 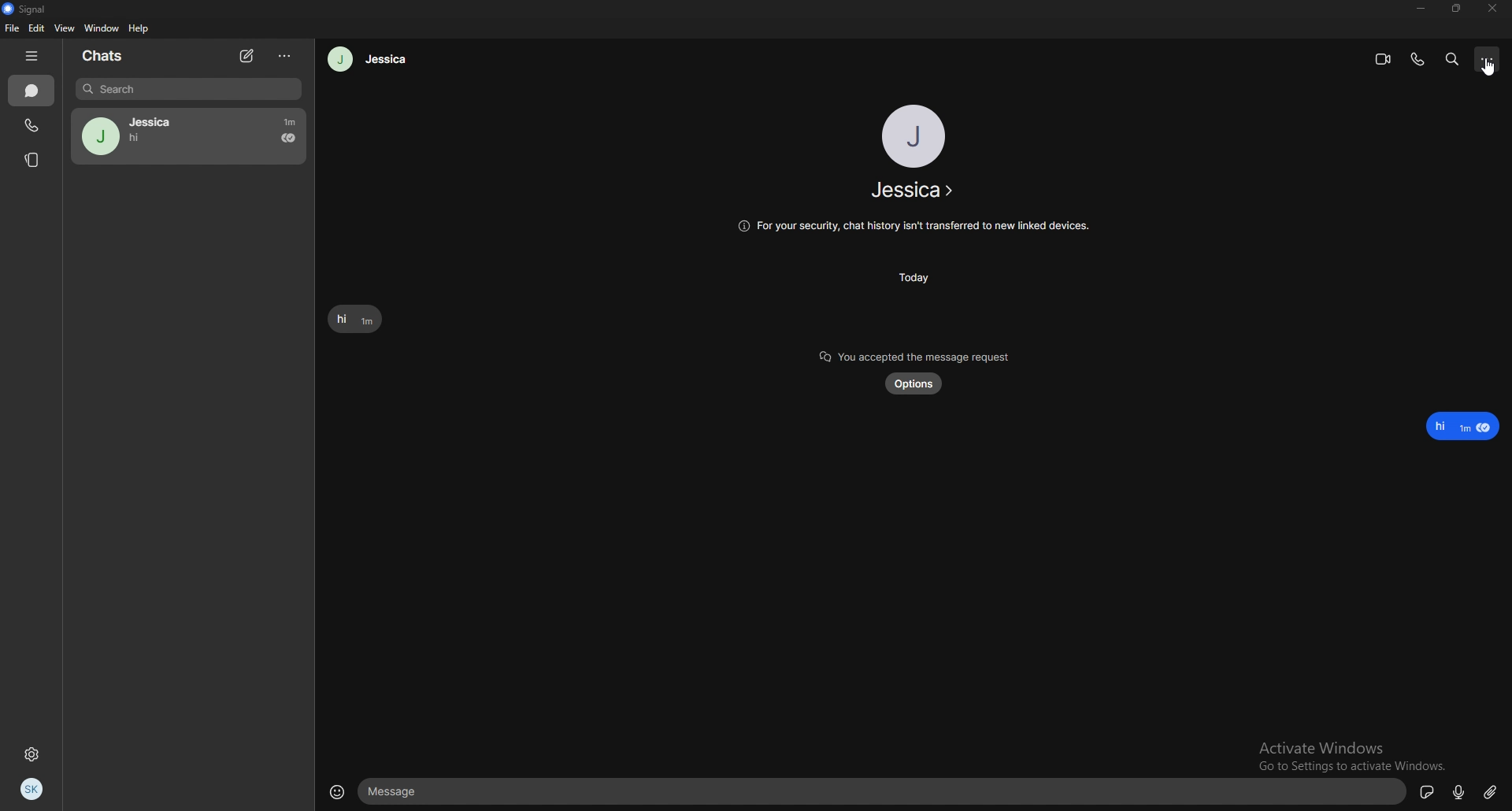 What do you see at coordinates (38, 28) in the screenshot?
I see `Edit` at bounding box center [38, 28].